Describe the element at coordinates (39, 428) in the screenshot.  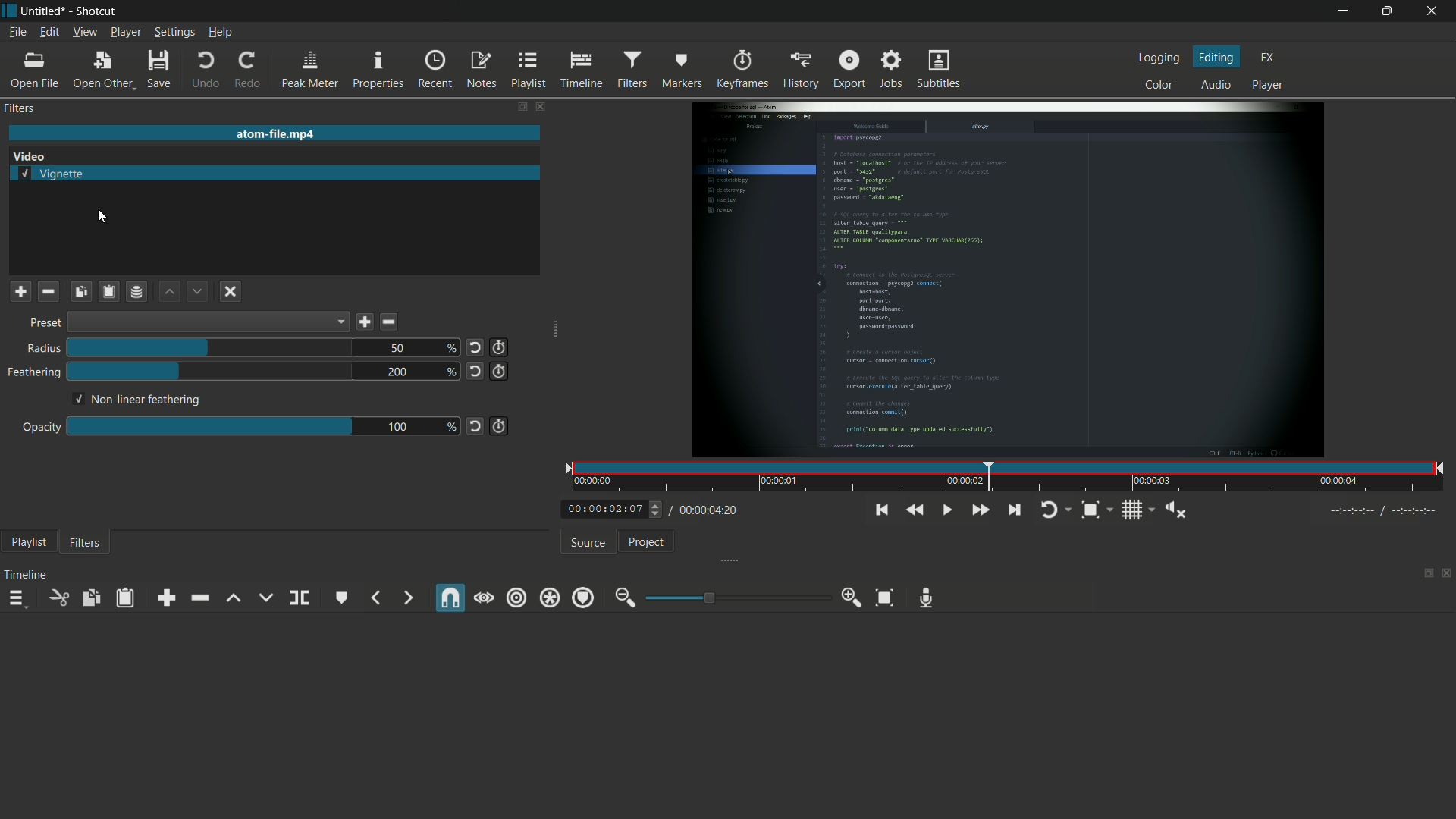
I see `opacity` at that location.